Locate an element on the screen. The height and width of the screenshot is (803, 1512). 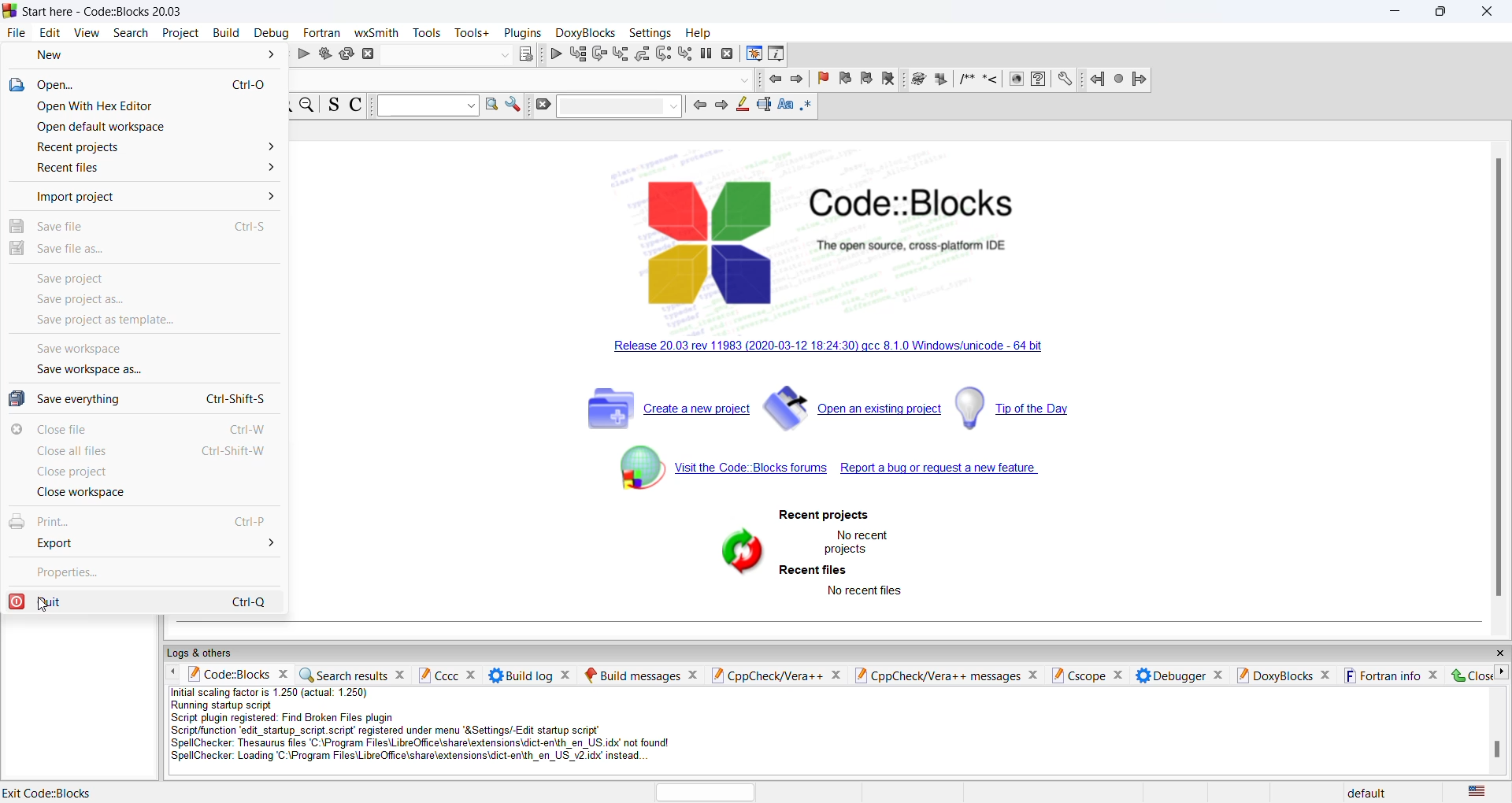
not clickable dropdown is located at coordinates (743, 80).